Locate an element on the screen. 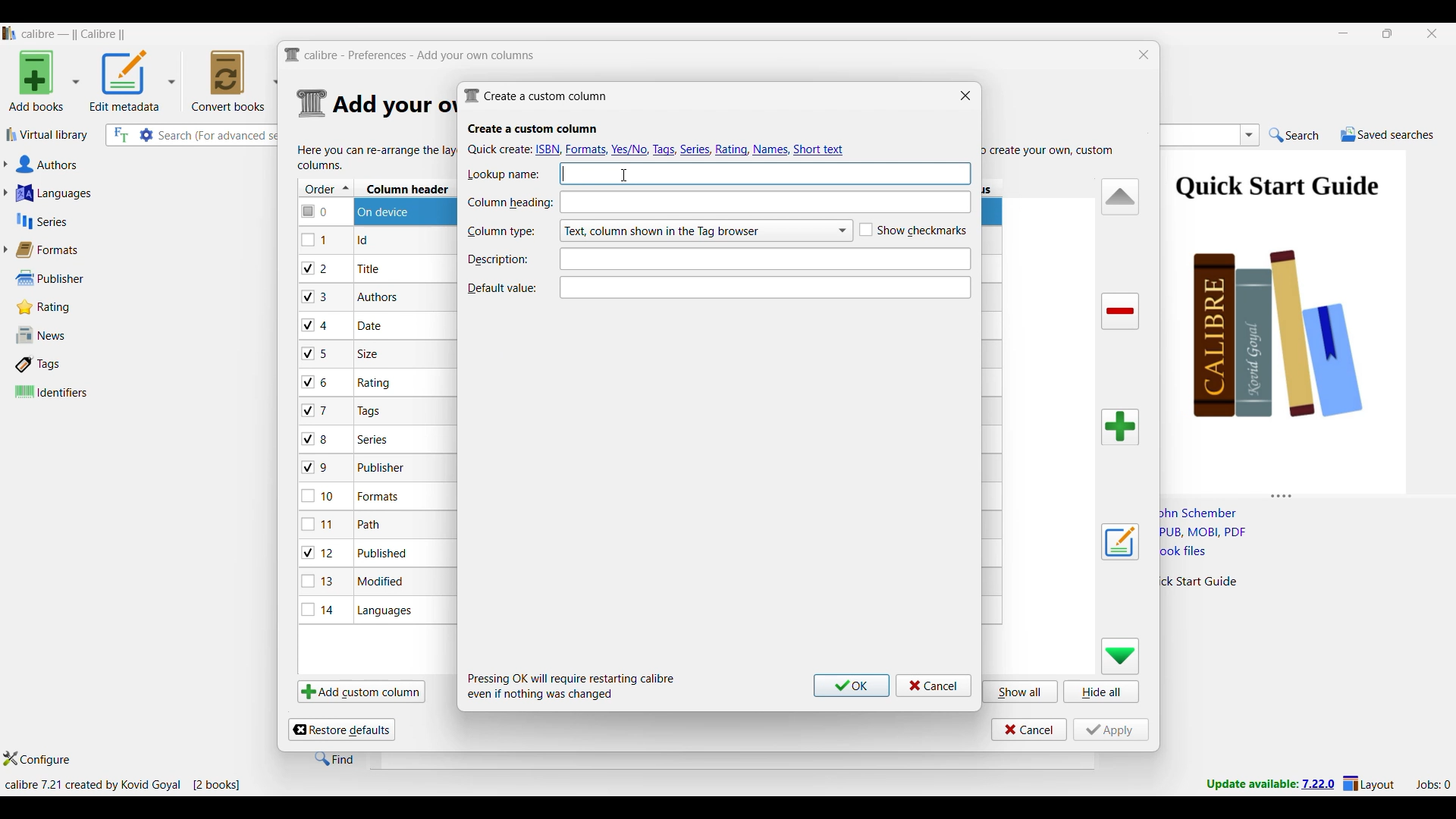  Text is located at coordinates (762, 258).